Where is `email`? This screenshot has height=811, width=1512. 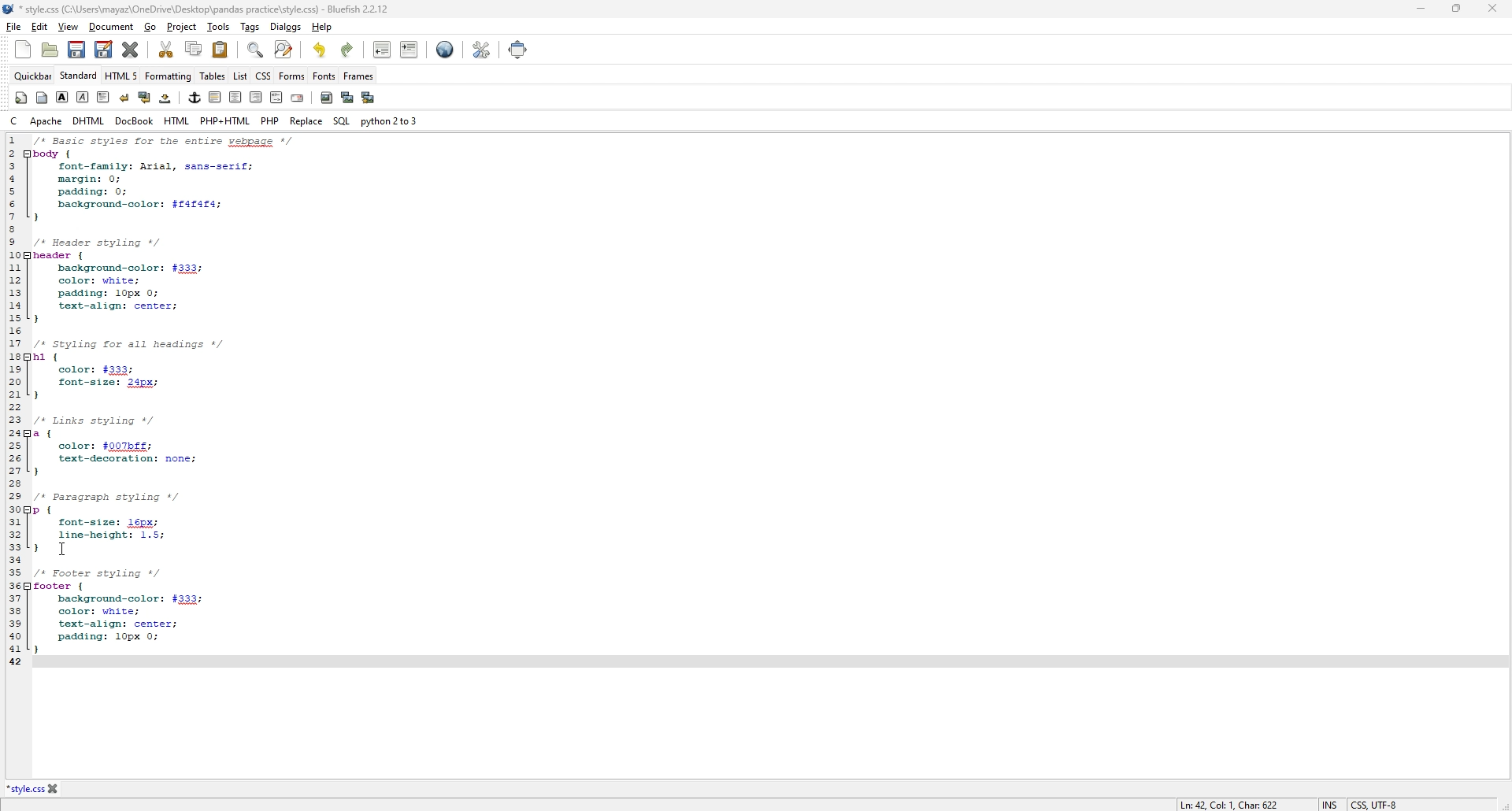 email is located at coordinates (299, 98).